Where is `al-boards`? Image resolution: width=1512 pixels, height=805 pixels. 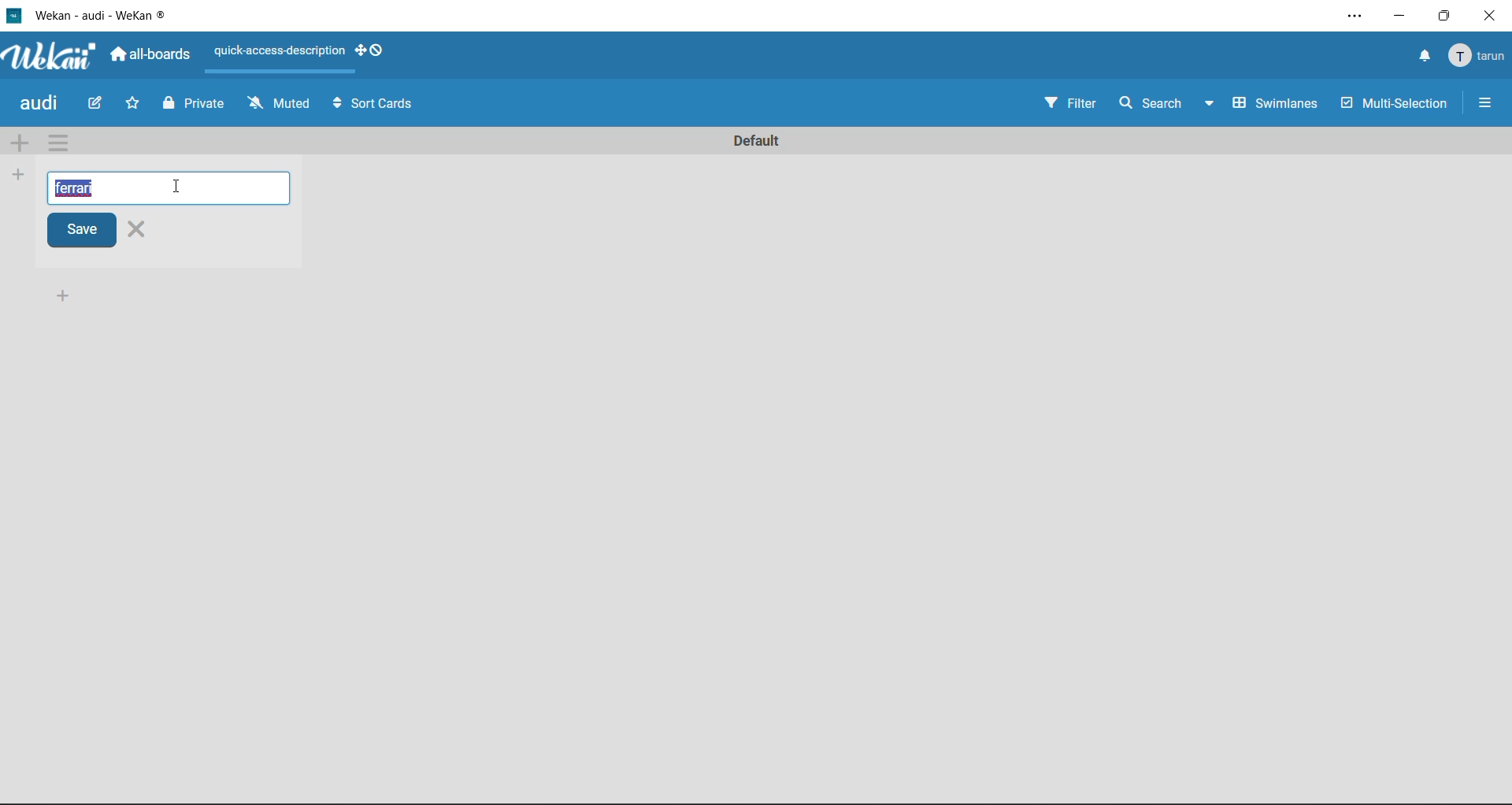
al-boards is located at coordinates (153, 58).